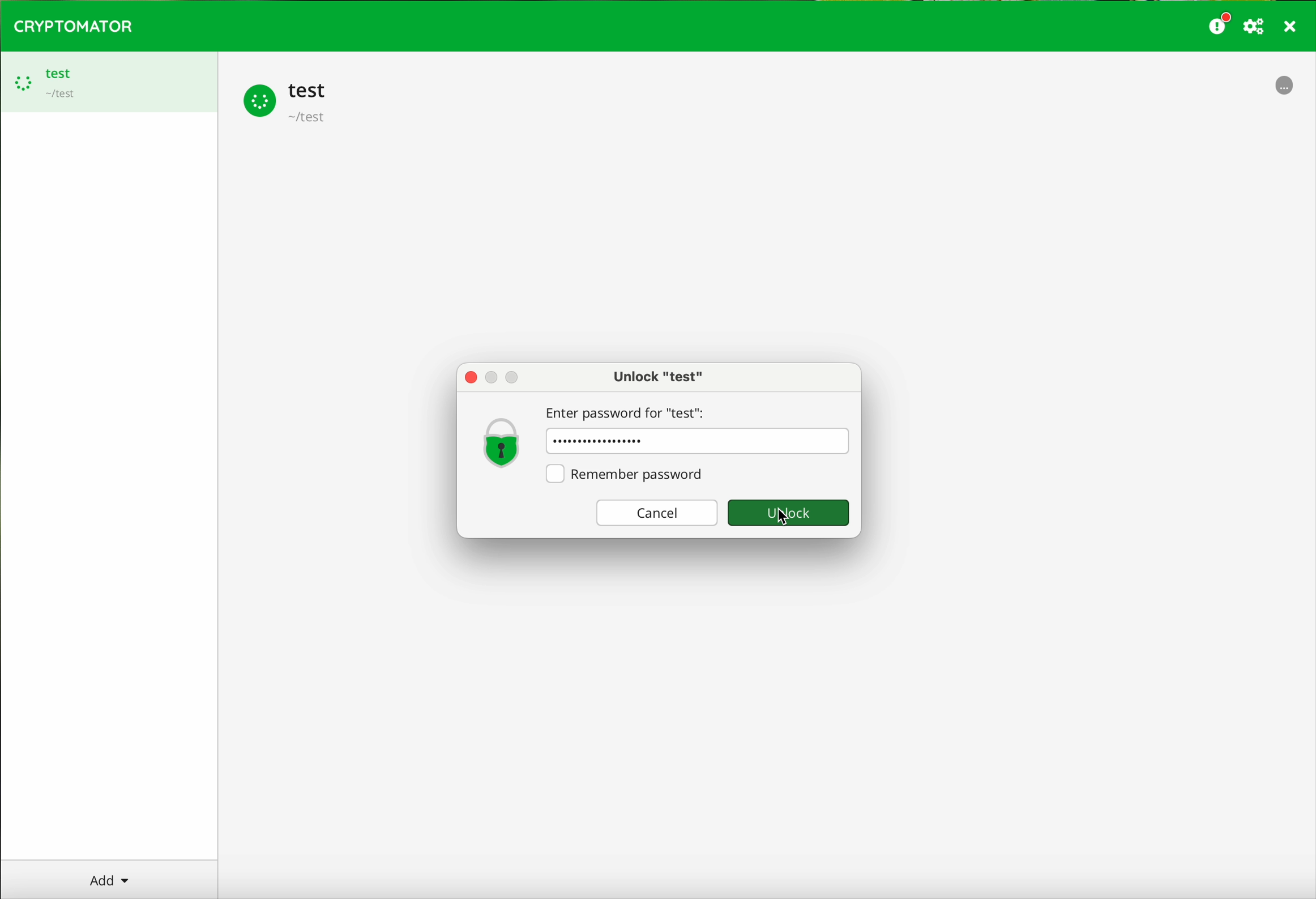 This screenshot has width=1316, height=899. I want to click on Add , so click(117, 879).